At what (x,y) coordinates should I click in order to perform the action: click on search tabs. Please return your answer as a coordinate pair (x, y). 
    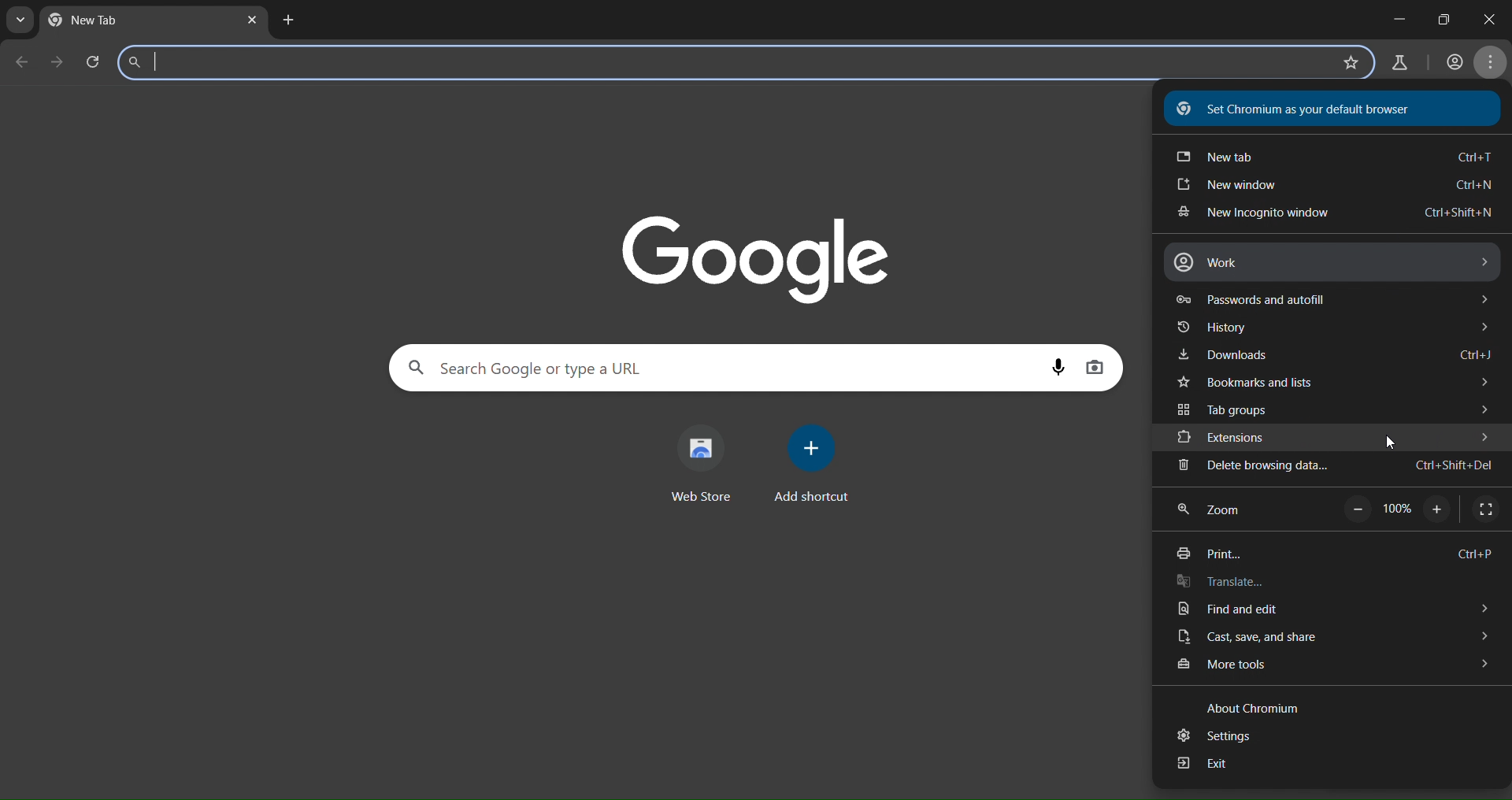
    Looking at the image, I should click on (19, 22).